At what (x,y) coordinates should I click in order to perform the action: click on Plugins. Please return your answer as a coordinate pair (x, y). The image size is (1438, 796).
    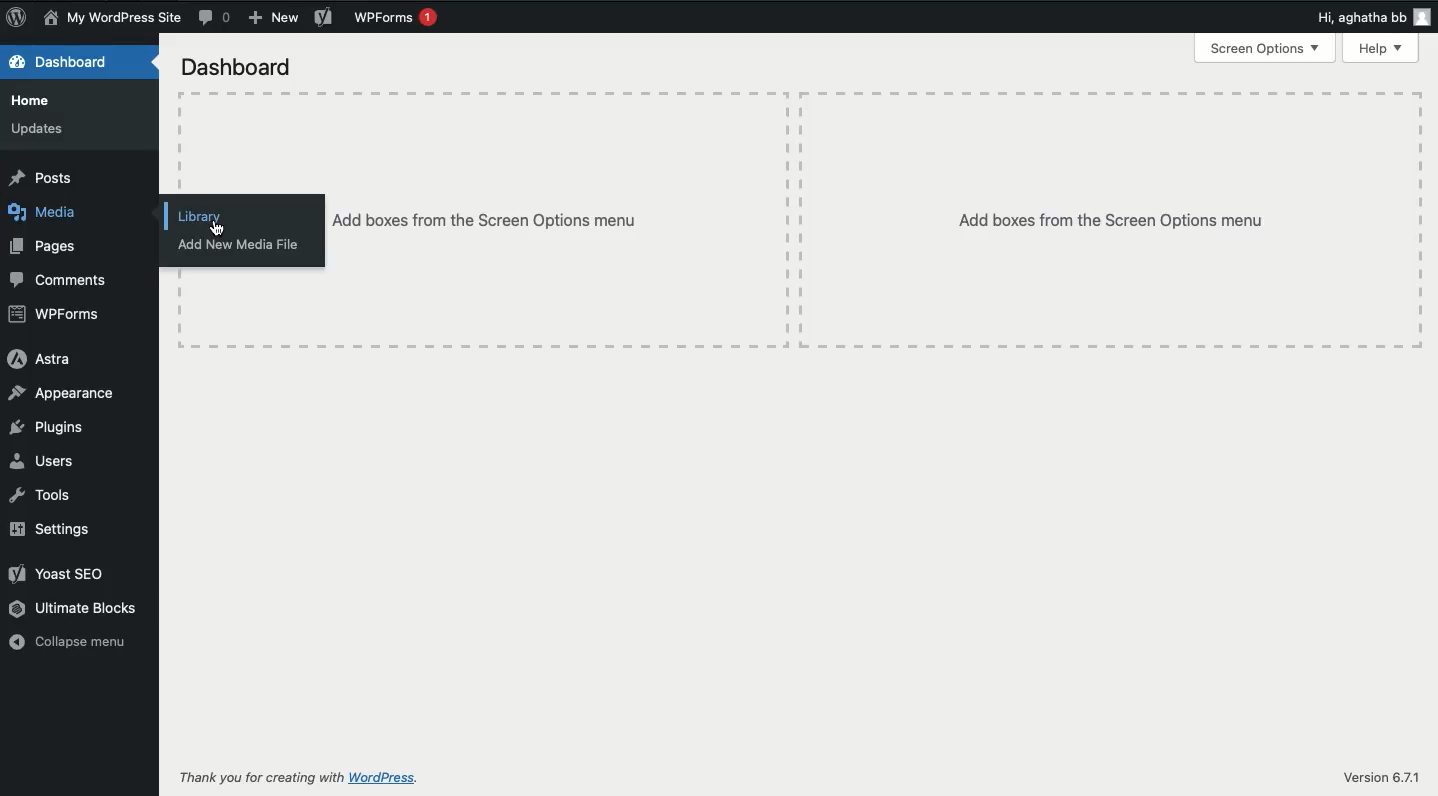
    Looking at the image, I should click on (48, 427).